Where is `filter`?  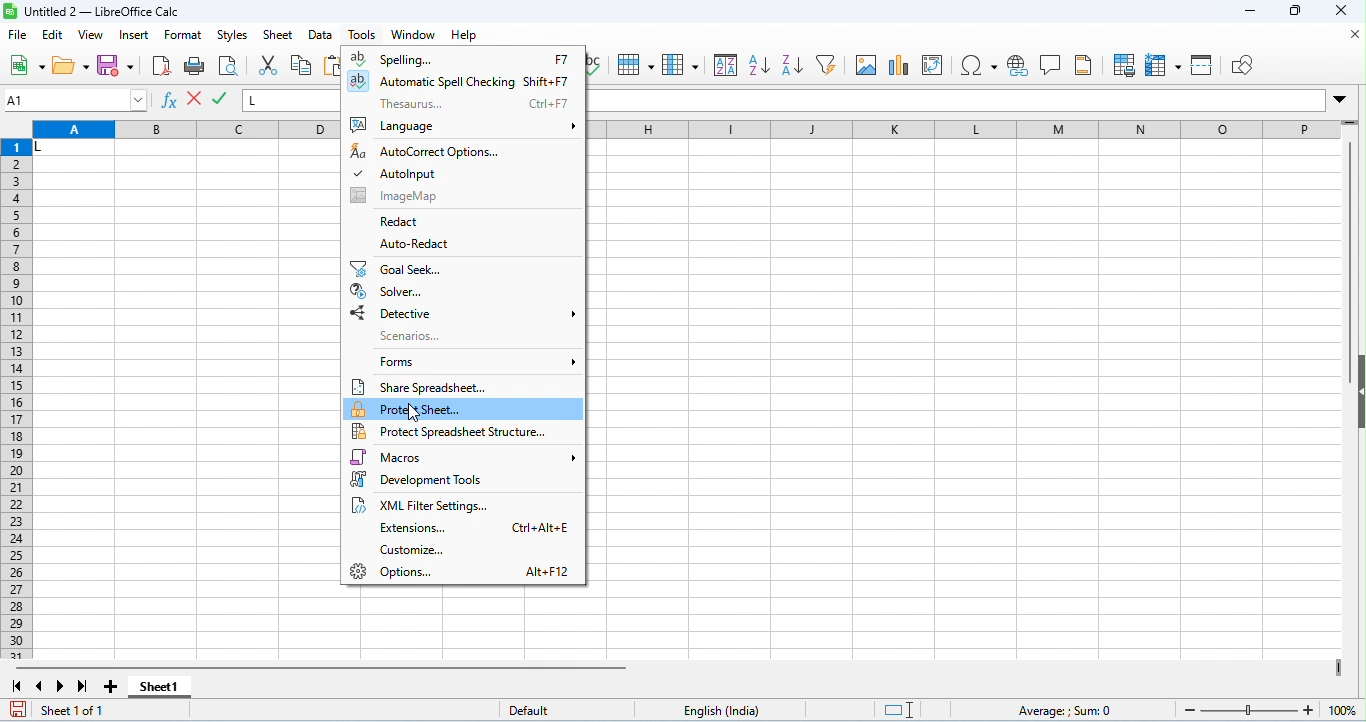 filter is located at coordinates (827, 64).